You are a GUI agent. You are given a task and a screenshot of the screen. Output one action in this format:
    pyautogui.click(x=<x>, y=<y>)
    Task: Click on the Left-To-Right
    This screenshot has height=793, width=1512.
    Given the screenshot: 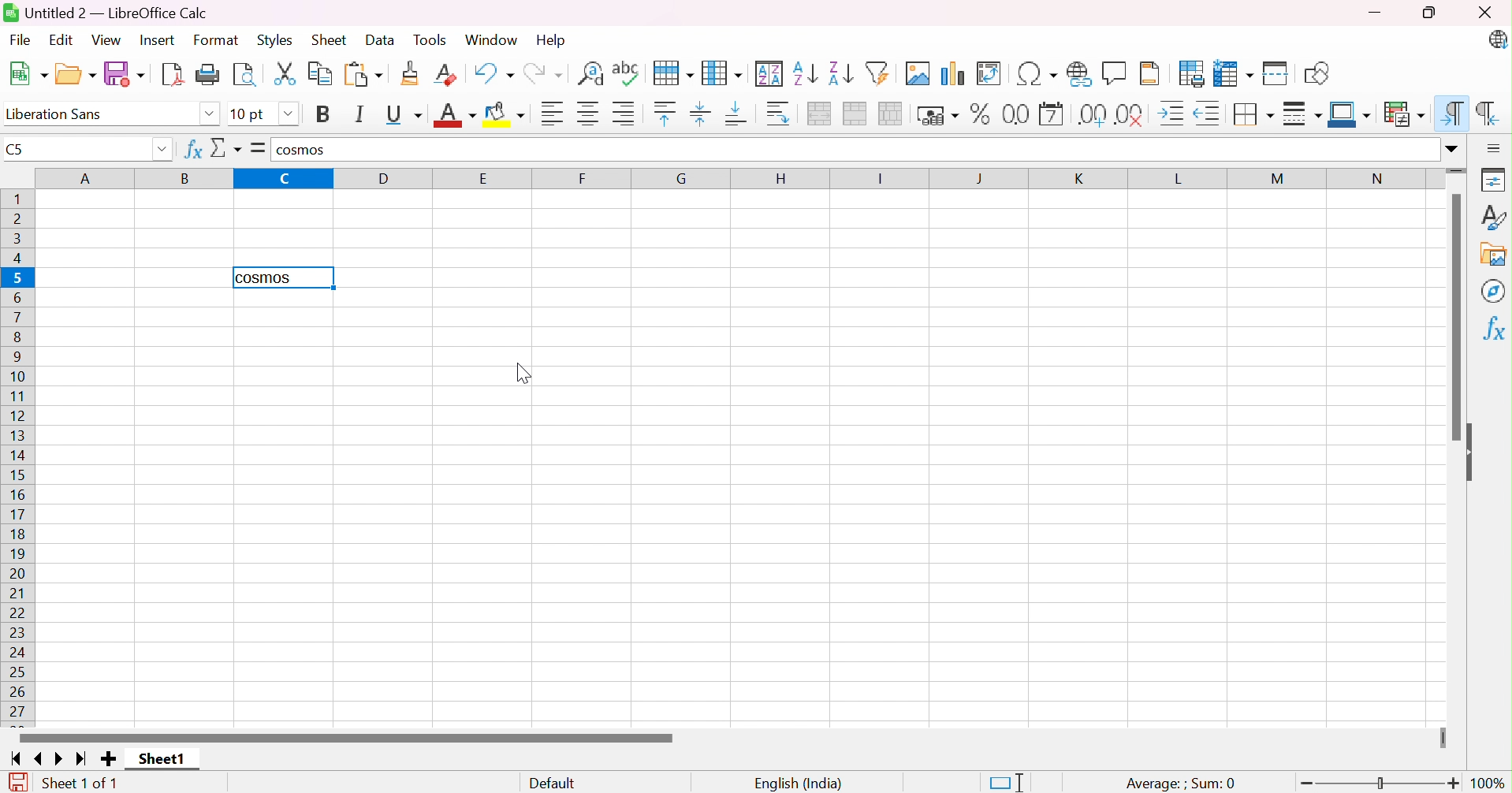 What is the action you would take?
    pyautogui.click(x=1449, y=113)
    